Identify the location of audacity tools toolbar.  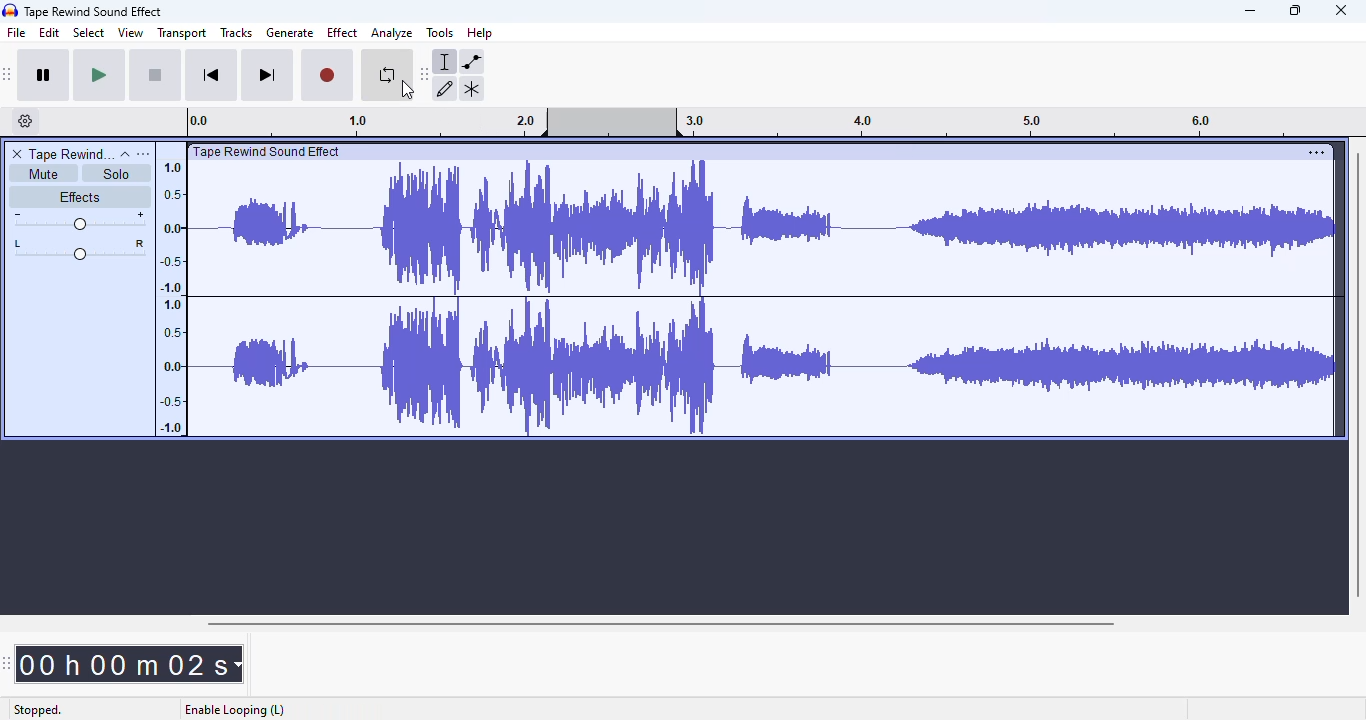
(425, 73).